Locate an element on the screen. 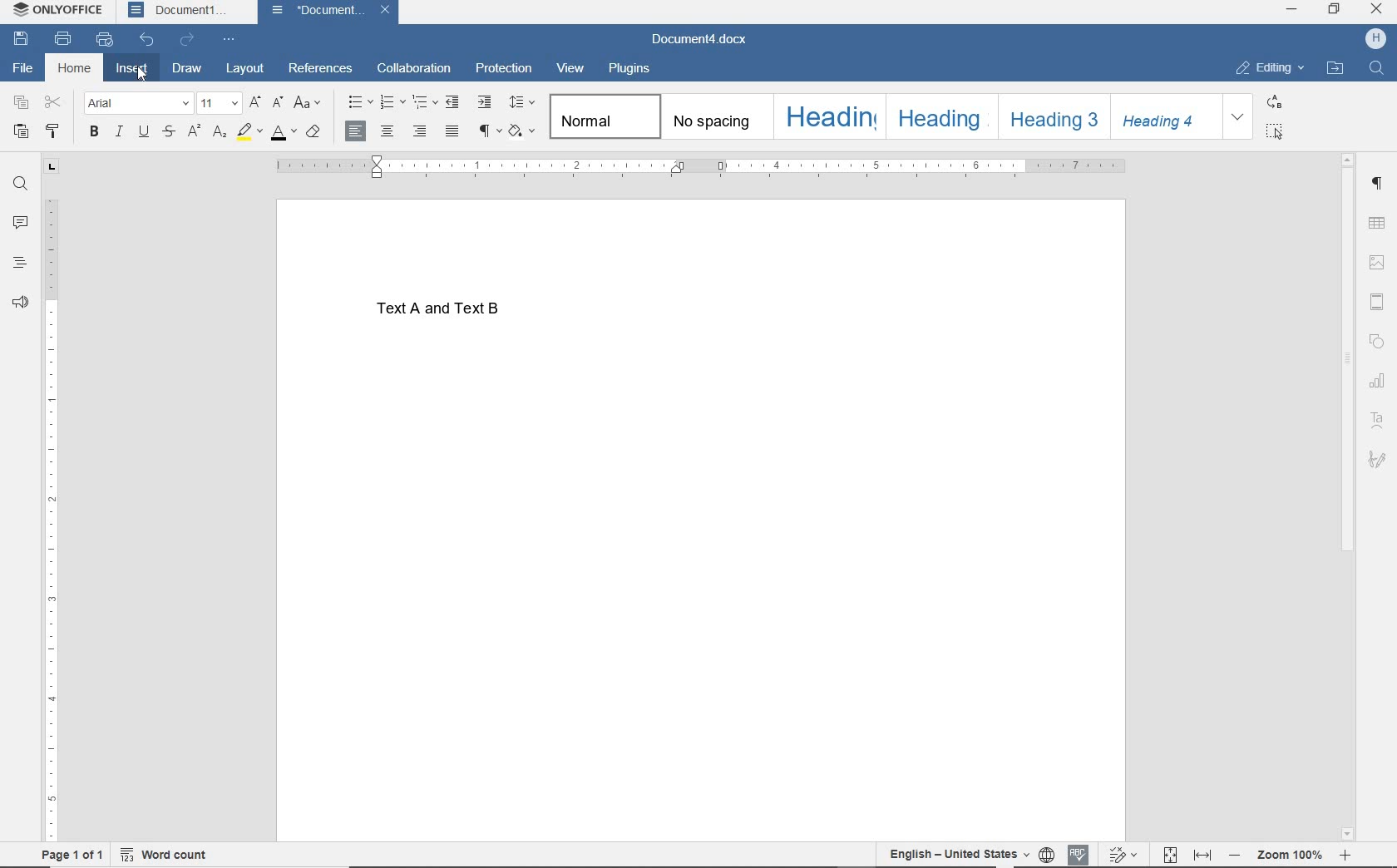 The image size is (1397, 868). CHANGE CASE is located at coordinates (308, 104).